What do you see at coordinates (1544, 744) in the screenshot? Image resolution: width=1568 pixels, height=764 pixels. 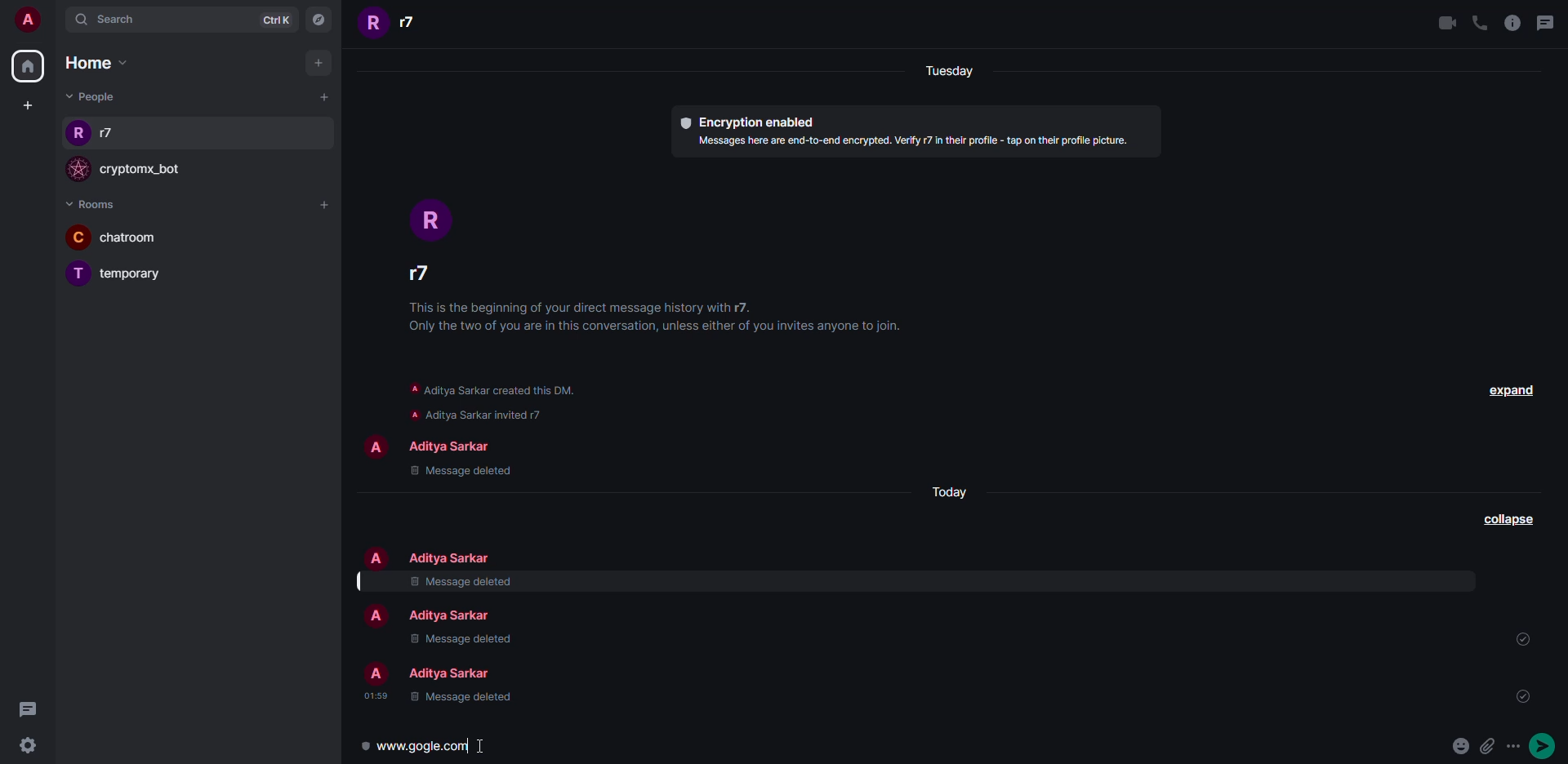 I see `send` at bounding box center [1544, 744].